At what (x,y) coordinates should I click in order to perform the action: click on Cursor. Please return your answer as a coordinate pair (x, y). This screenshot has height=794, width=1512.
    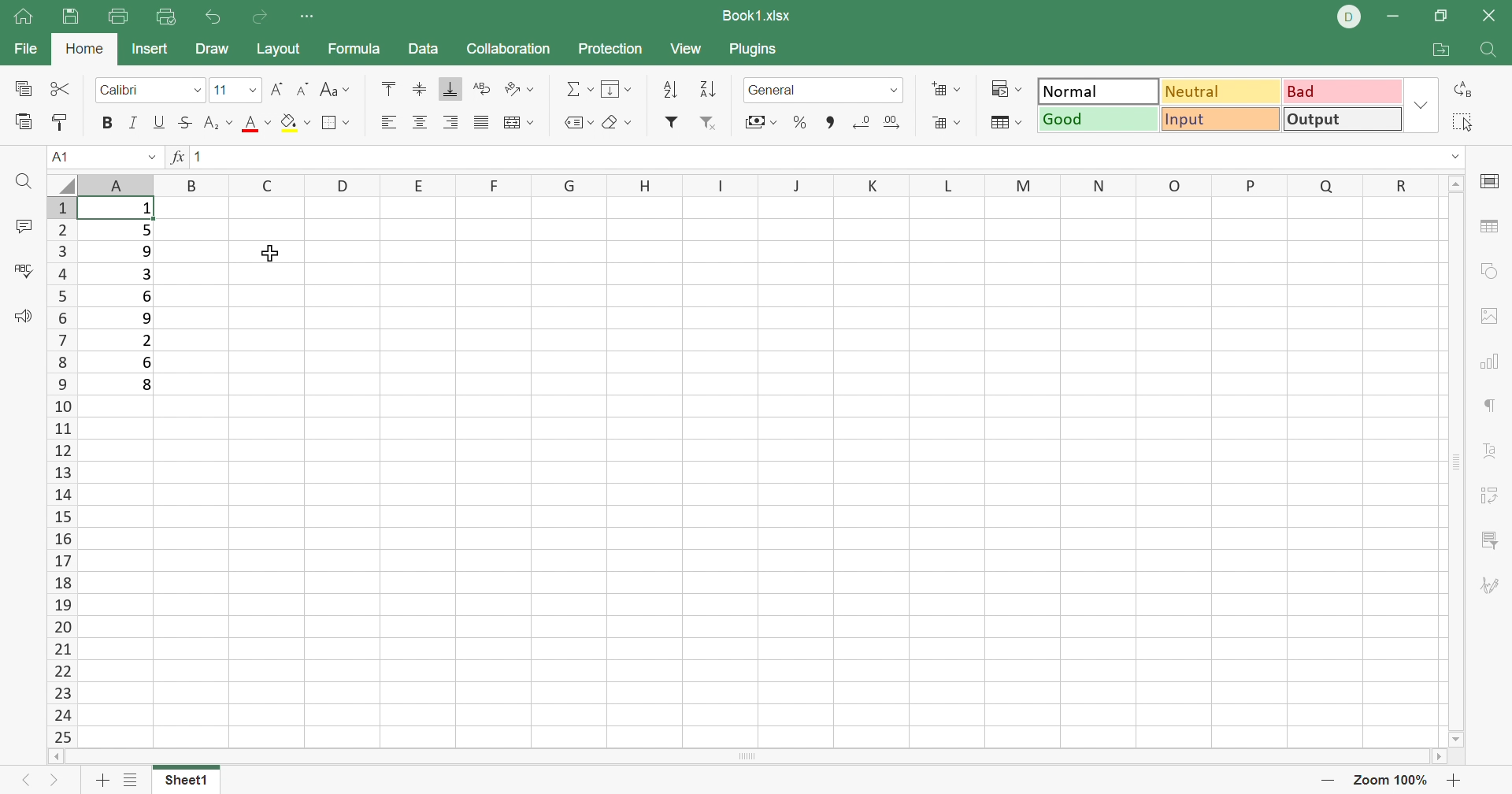
    Looking at the image, I should click on (272, 254).